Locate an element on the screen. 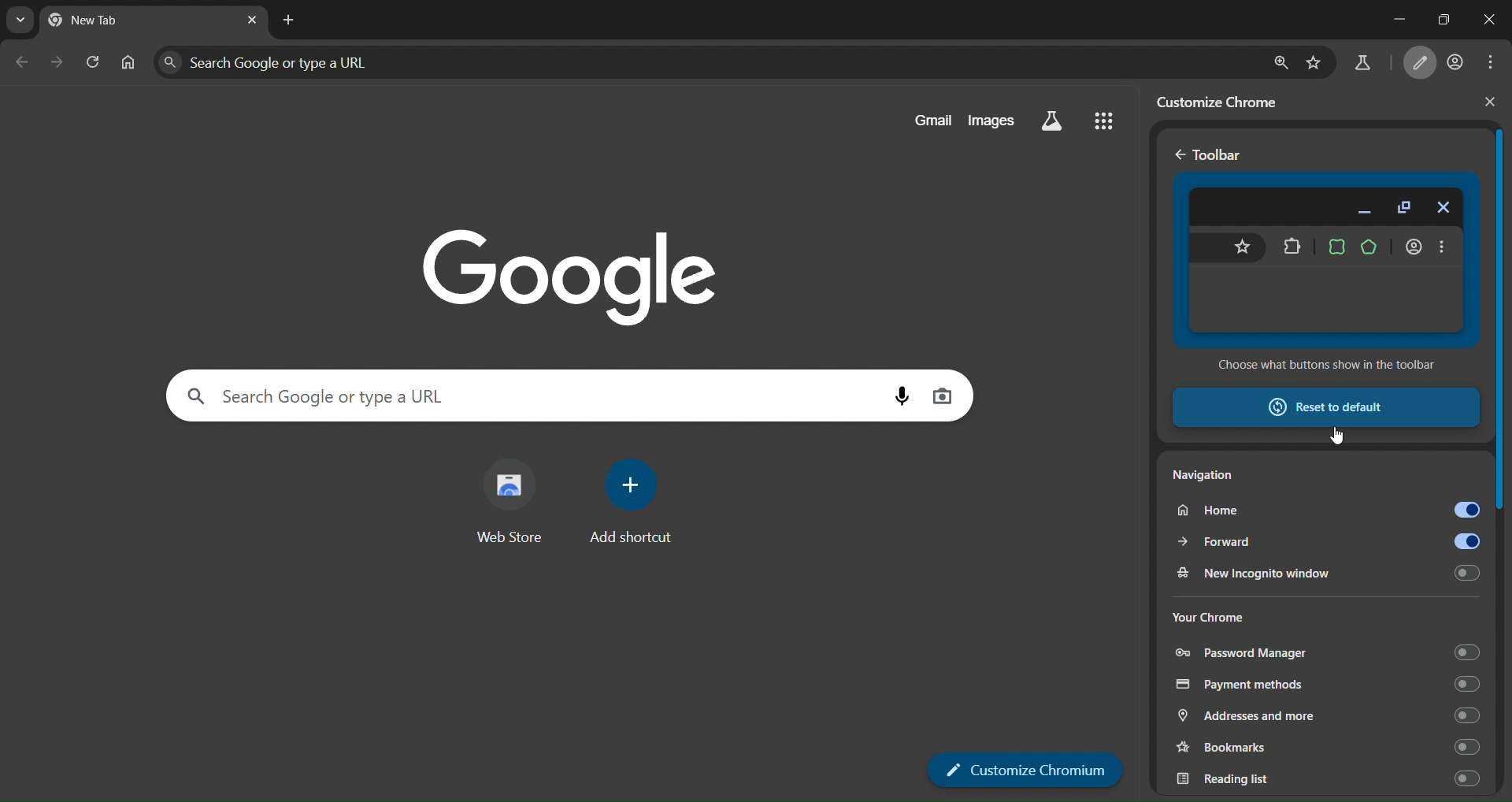  forward is located at coordinates (1323, 540).